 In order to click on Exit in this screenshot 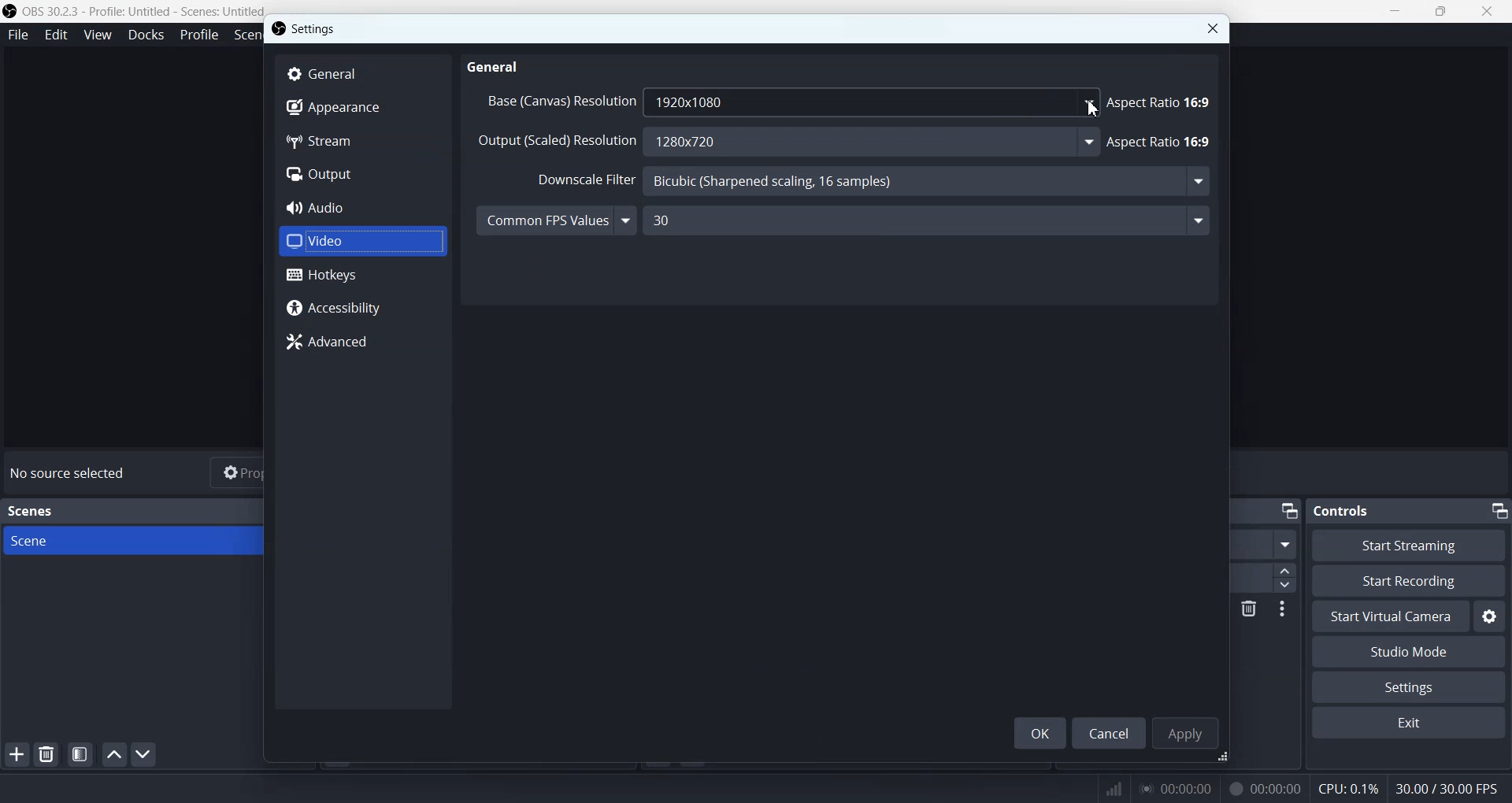, I will do `click(1409, 723)`.